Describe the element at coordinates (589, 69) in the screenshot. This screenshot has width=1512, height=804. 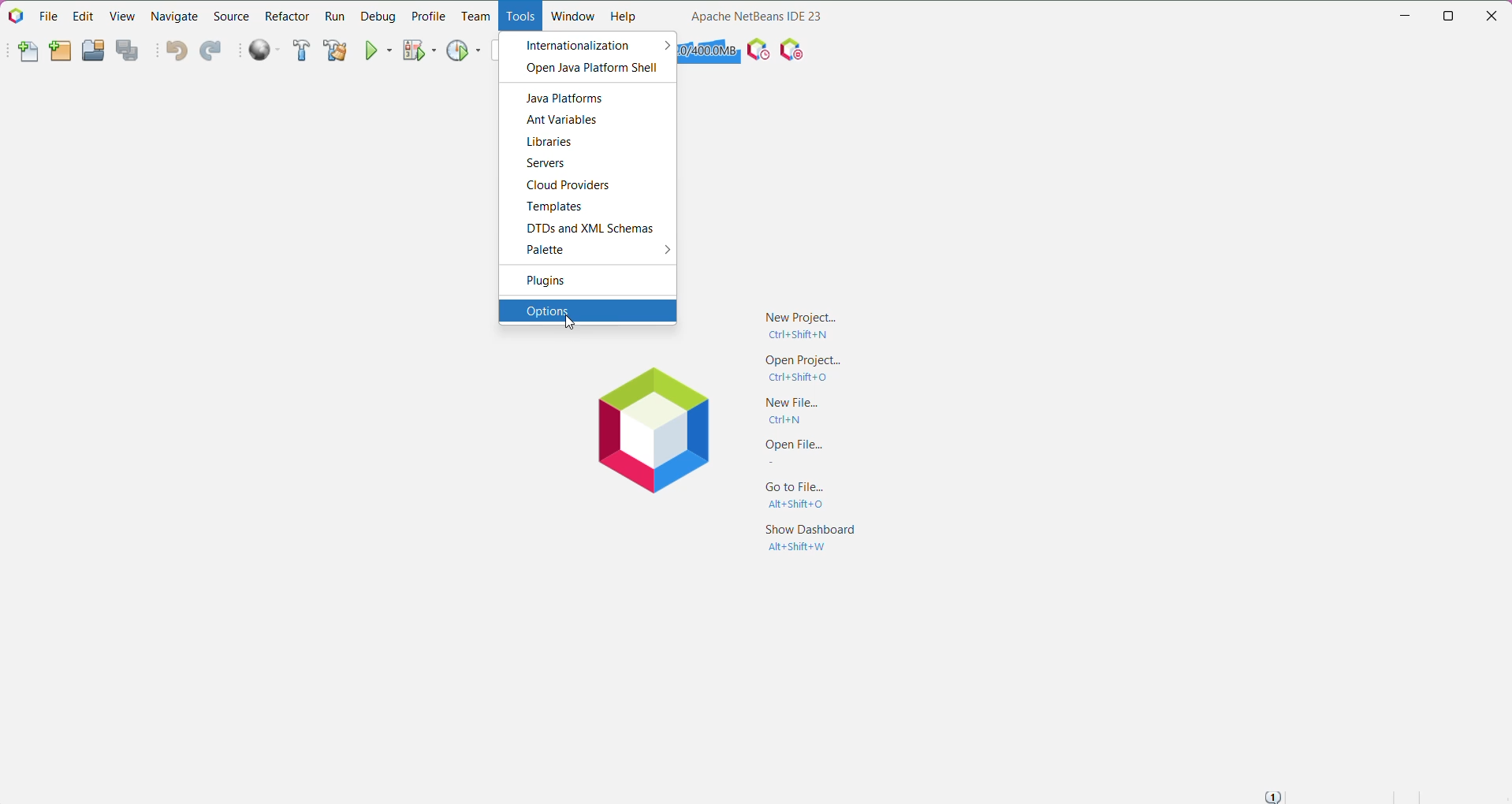
I see `Open Java Platform Shell` at that location.